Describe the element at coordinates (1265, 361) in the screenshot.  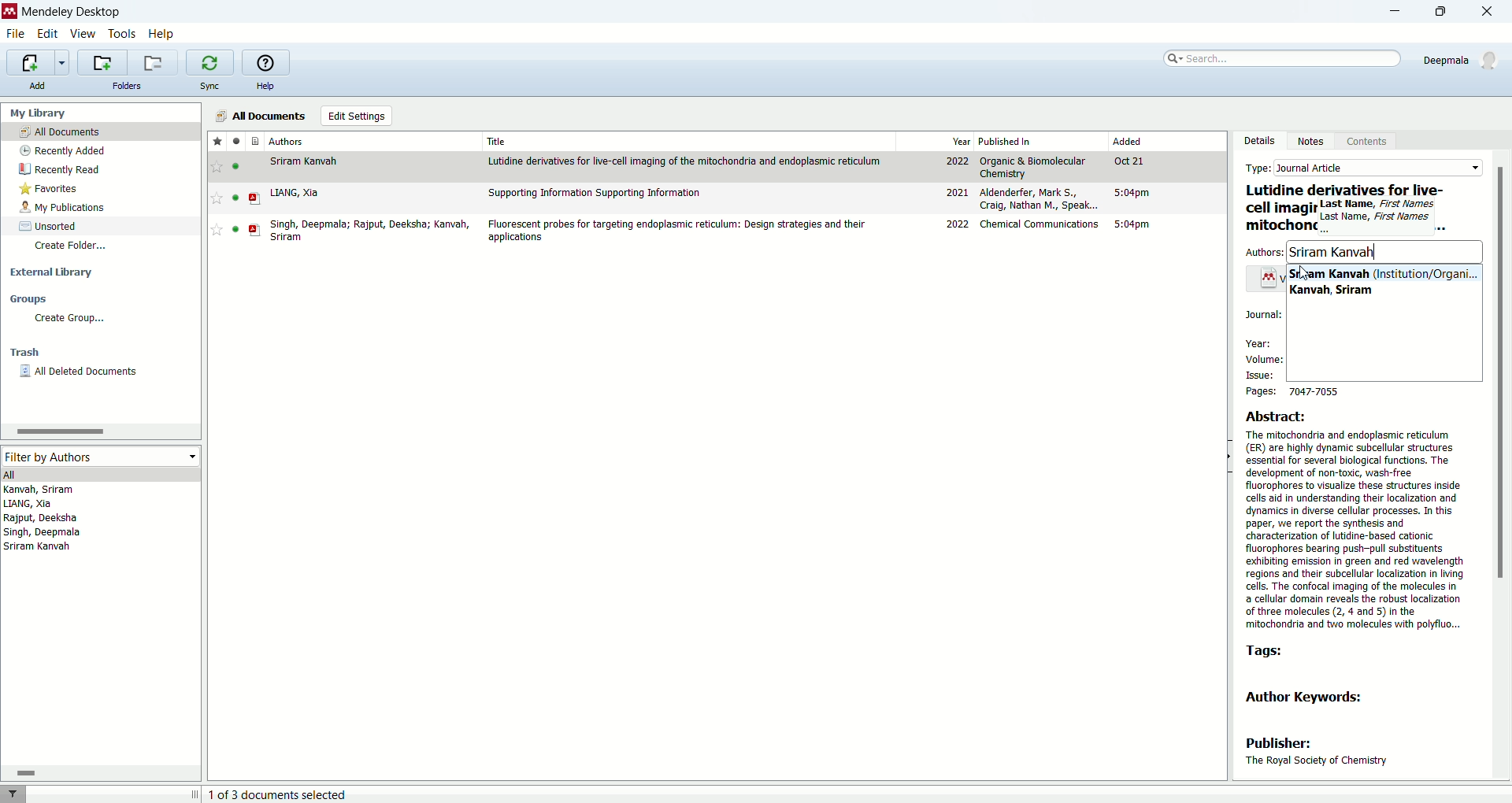
I see `volume:` at that location.